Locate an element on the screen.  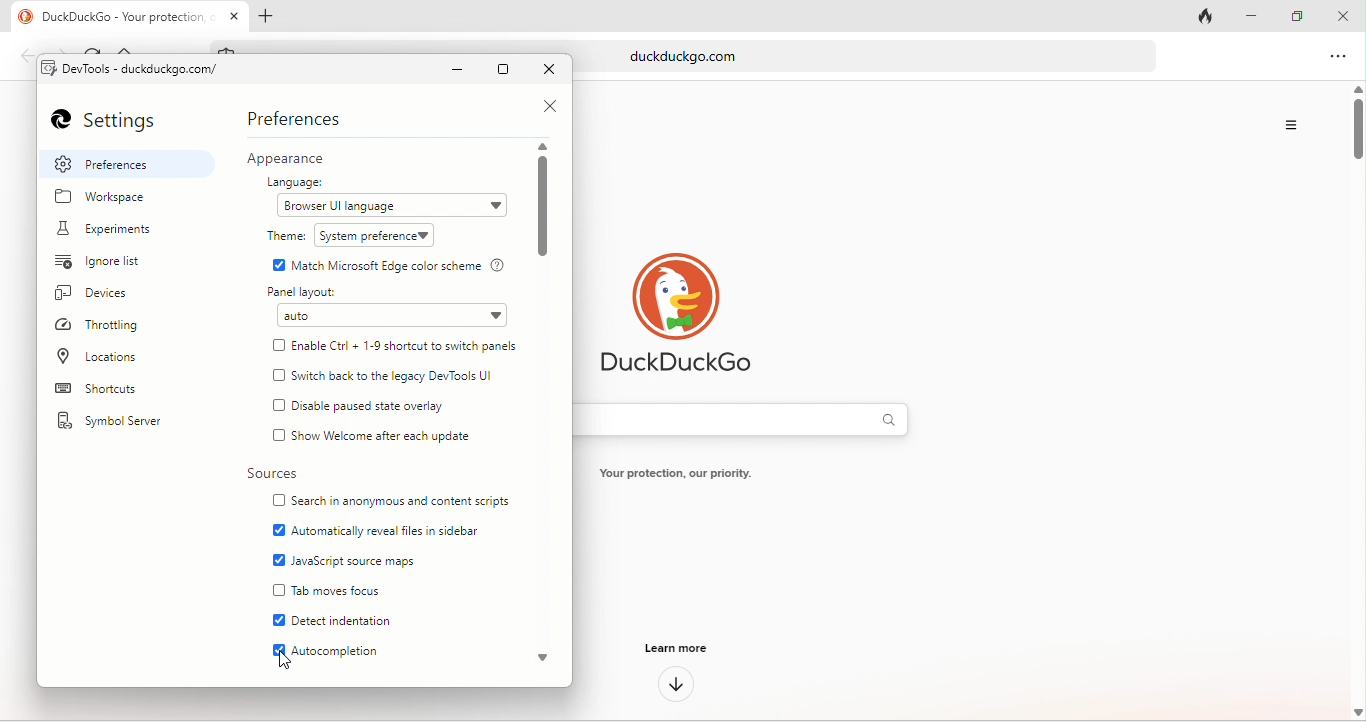
checkbox is located at coordinates (280, 375).